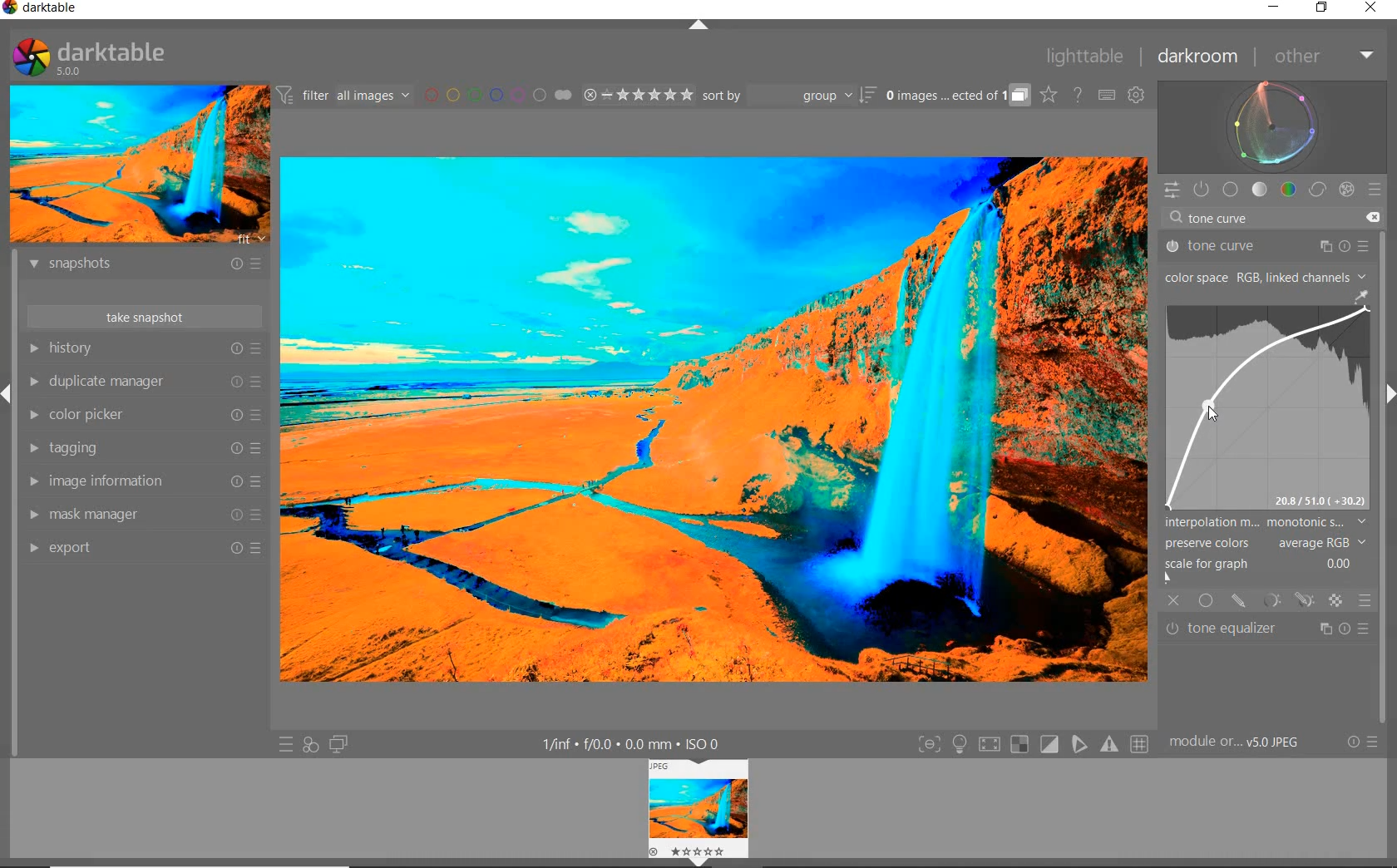  Describe the element at coordinates (700, 28) in the screenshot. I see `EXPAND/COLLAPSE` at that location.